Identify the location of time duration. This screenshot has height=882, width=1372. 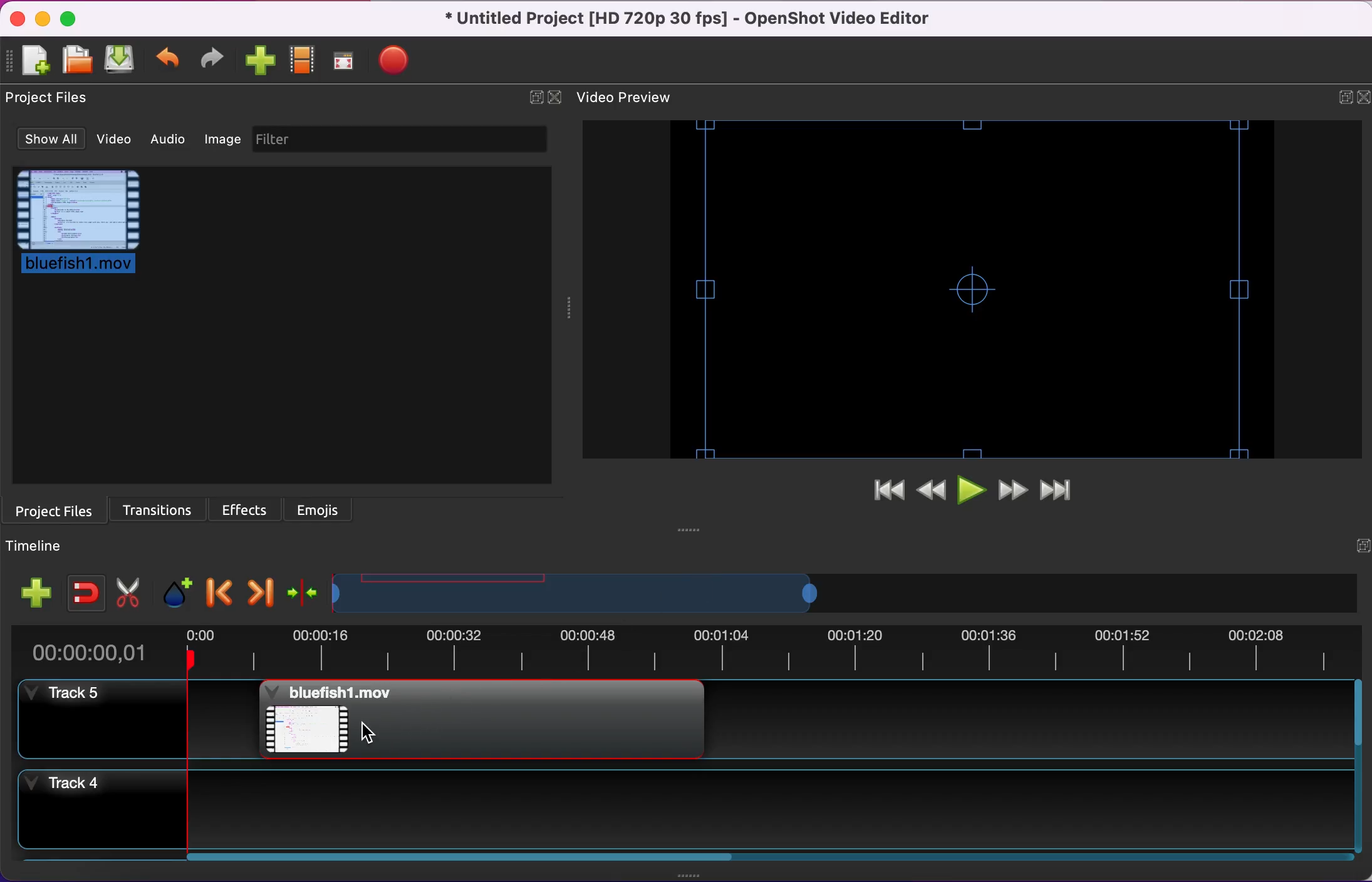
(688, 648).